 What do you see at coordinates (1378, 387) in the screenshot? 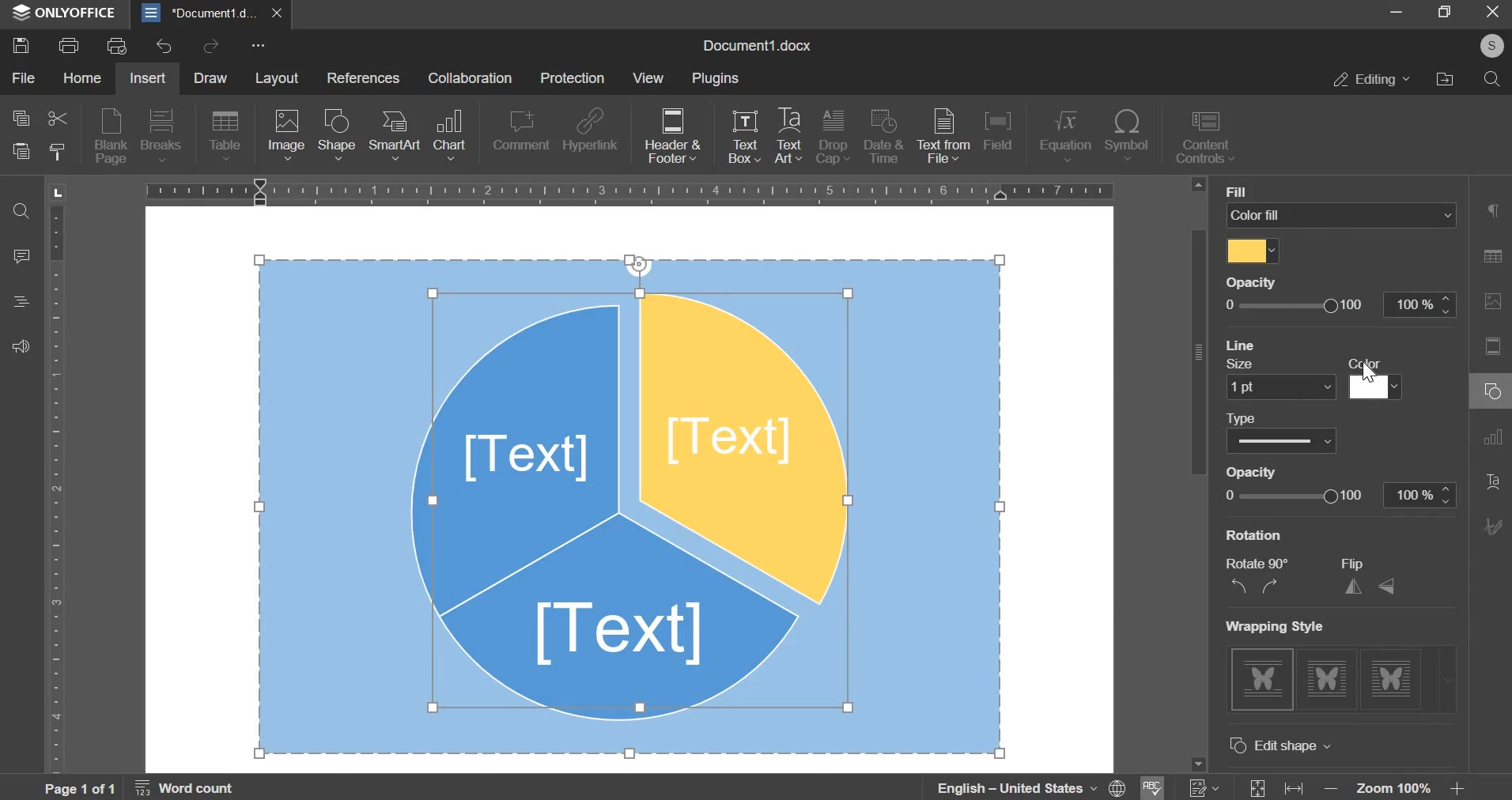
I see `line color` at bounding box center [1378, 387].